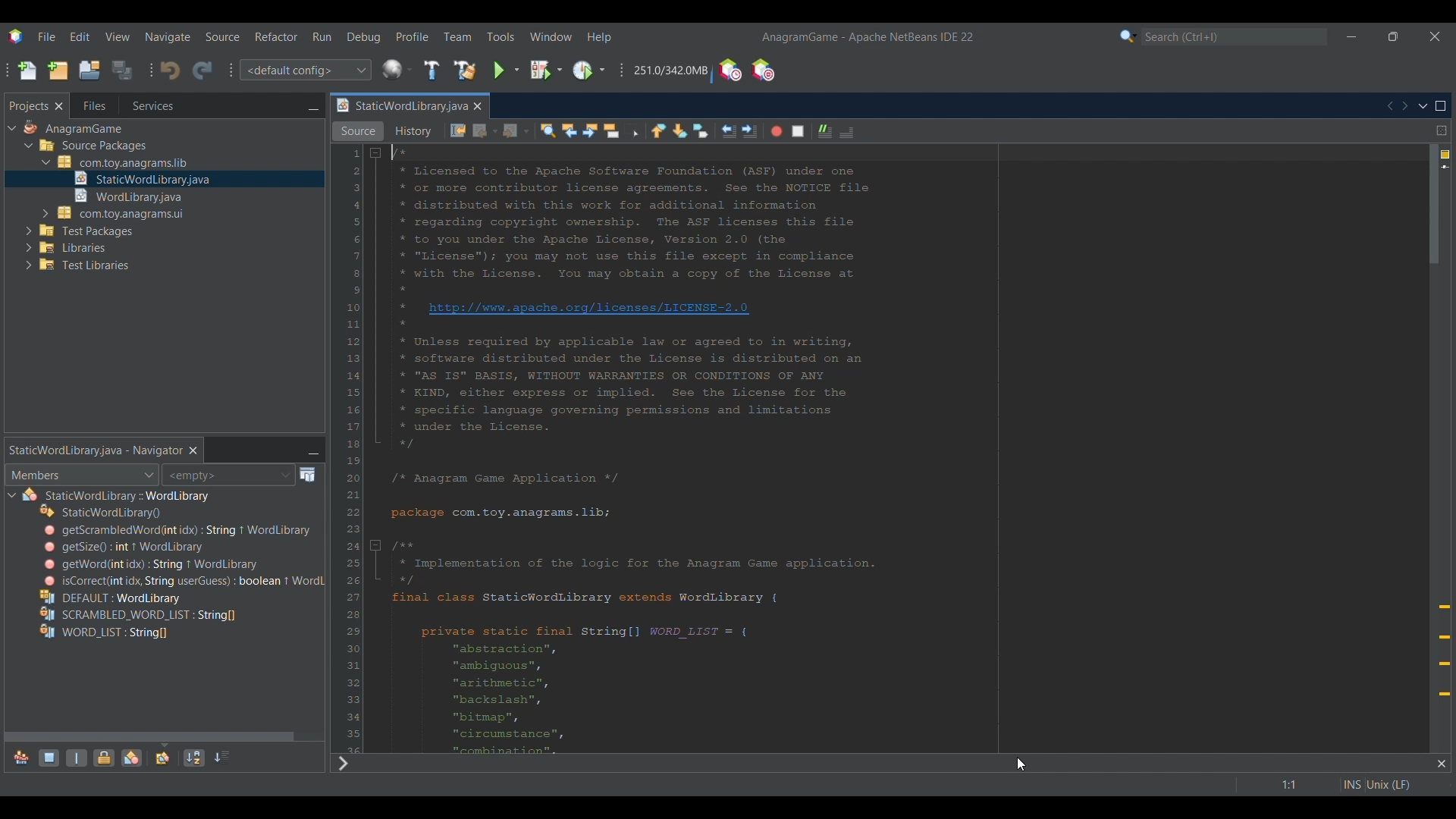 This screenshot has height=819, width=1456. Describe the element at coordinates (28, 106) in the screenshot. I see `Current selection` at that location.